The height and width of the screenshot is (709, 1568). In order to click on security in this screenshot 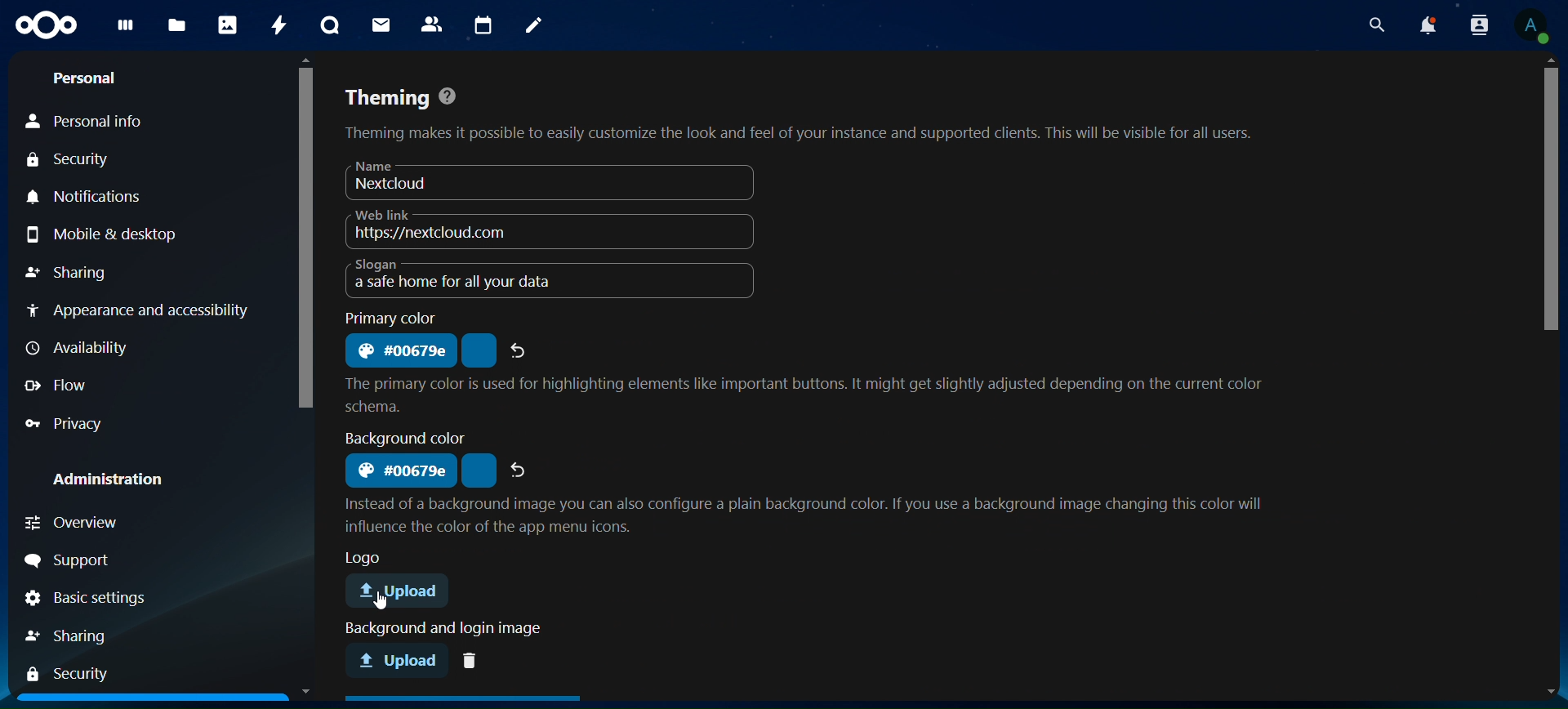, I will do `click(78, 159)`.